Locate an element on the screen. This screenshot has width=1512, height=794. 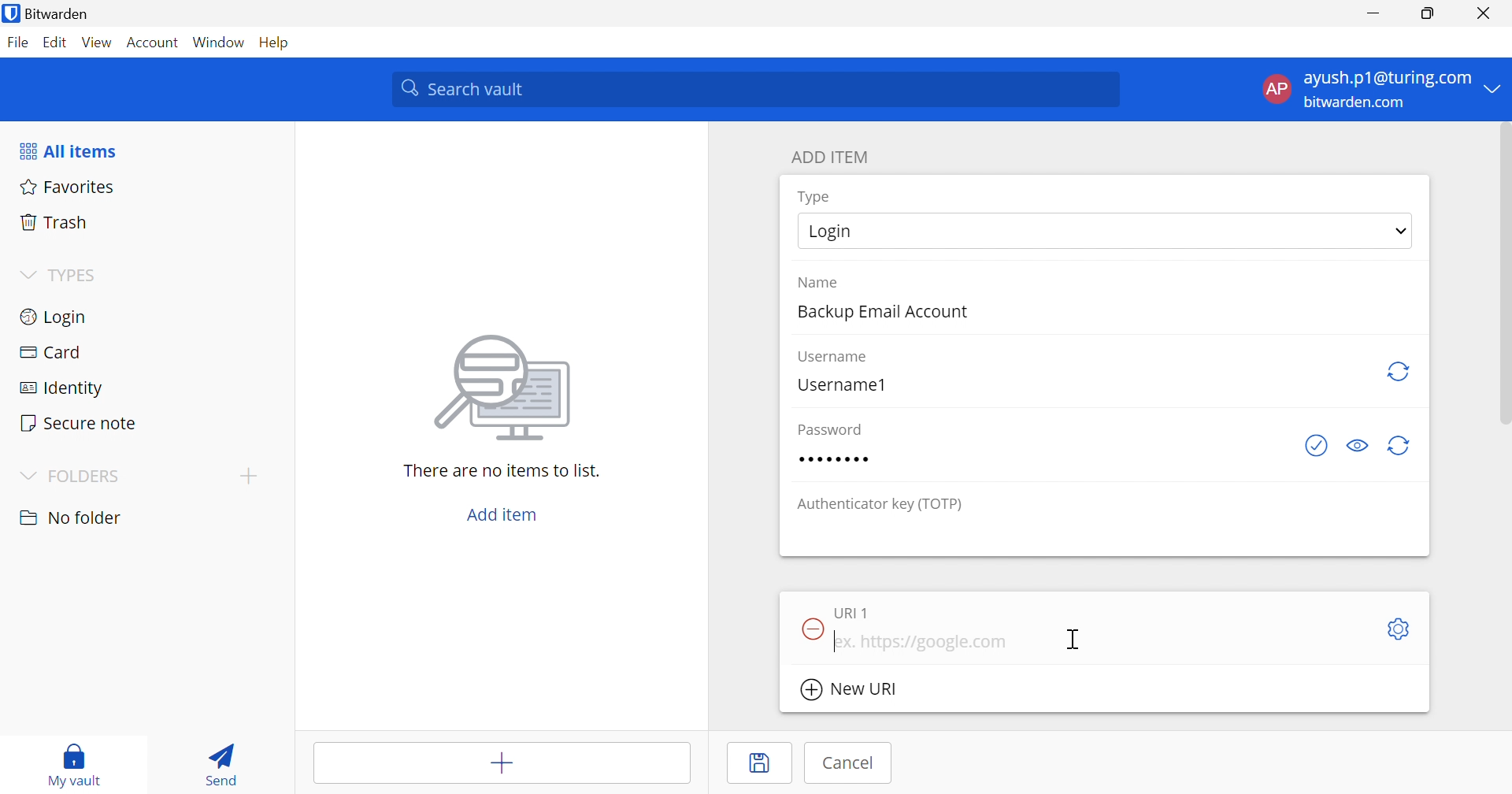
bitwarden.com is located at coordinates (1358, 103).